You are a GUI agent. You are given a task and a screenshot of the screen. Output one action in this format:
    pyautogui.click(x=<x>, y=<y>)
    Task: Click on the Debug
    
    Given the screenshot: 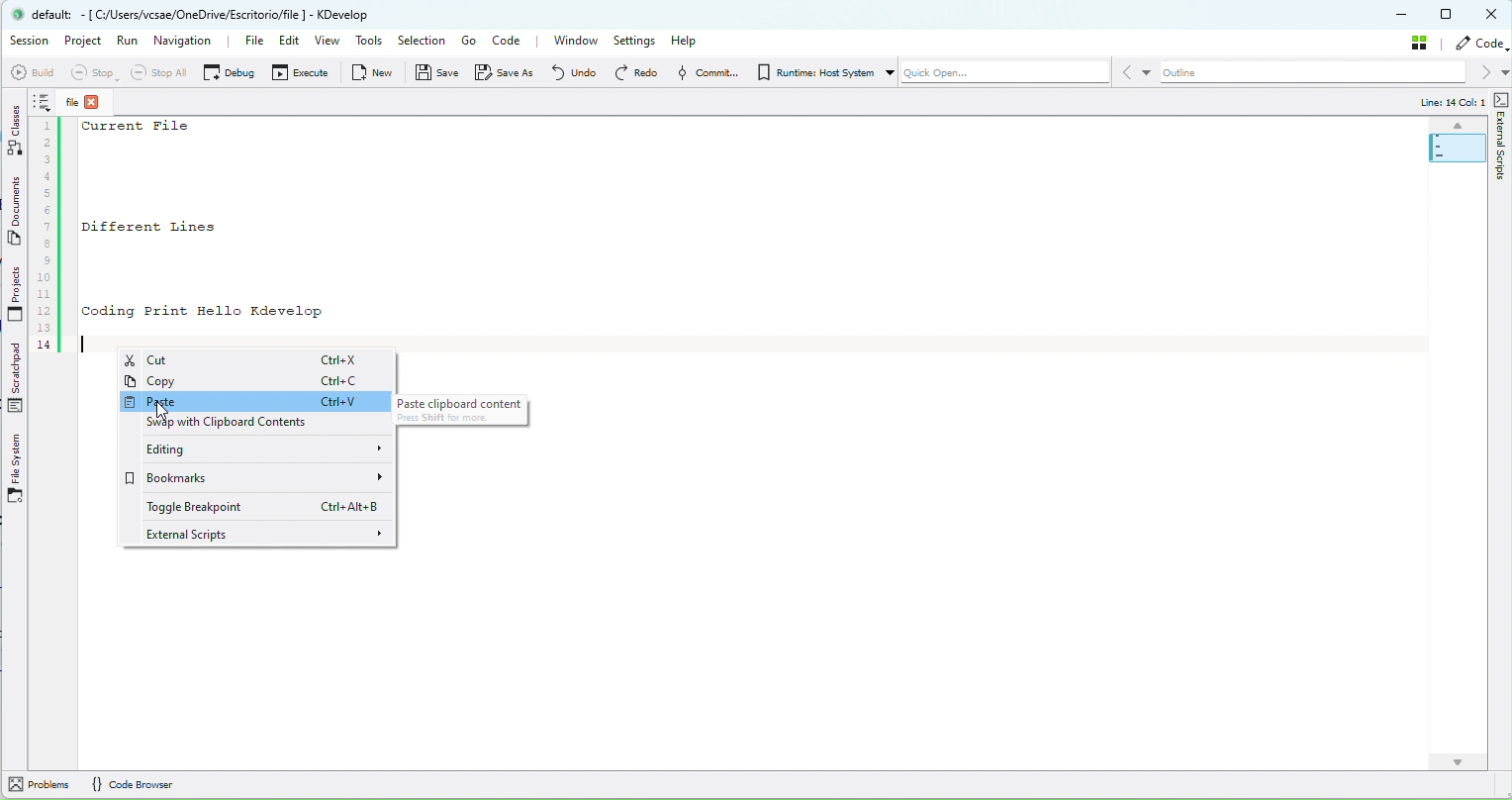 What is the action you would take?
    pyautogui.click(x=229, y=71)
    